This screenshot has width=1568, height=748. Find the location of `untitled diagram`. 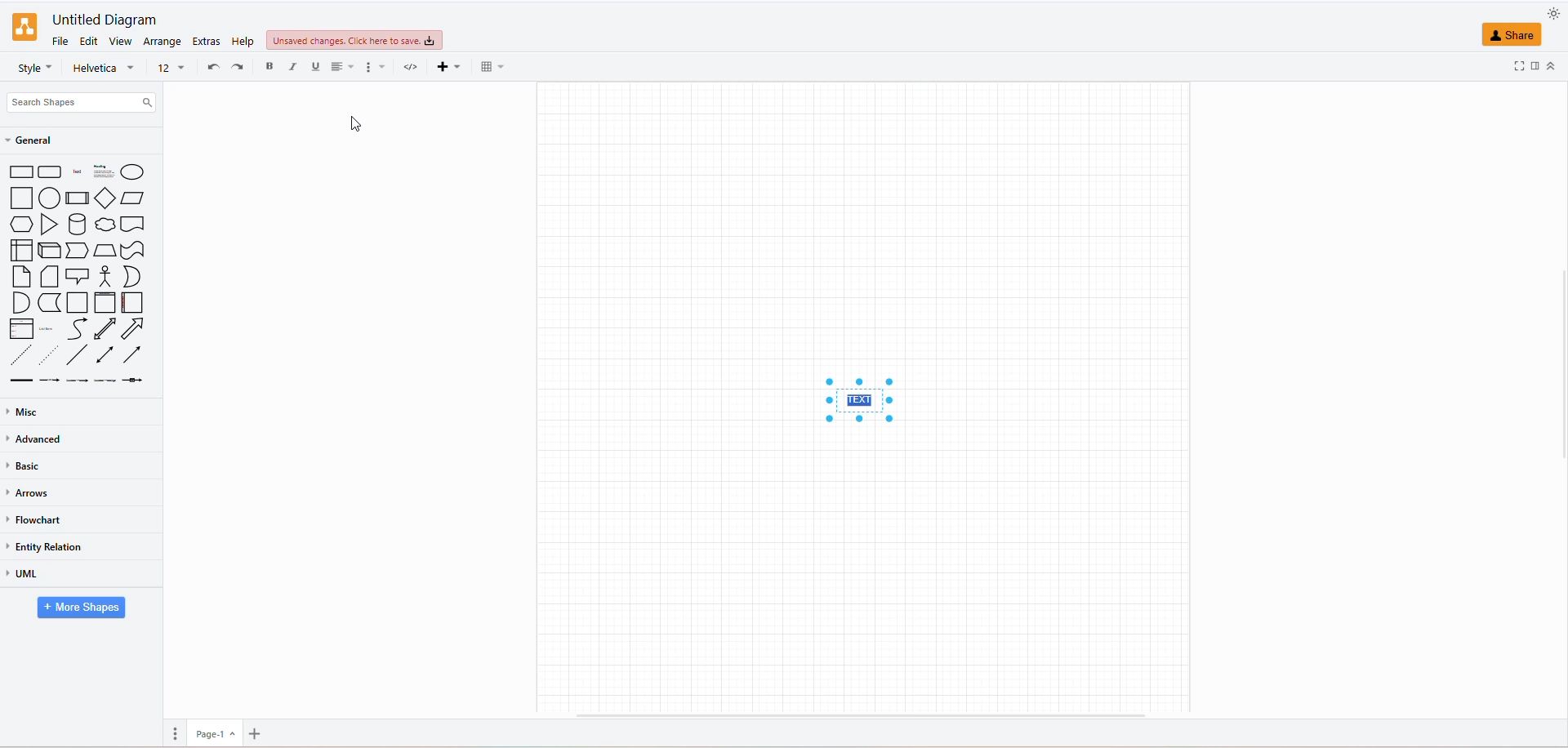

untitled diagram is located at coordinates (100, 20).